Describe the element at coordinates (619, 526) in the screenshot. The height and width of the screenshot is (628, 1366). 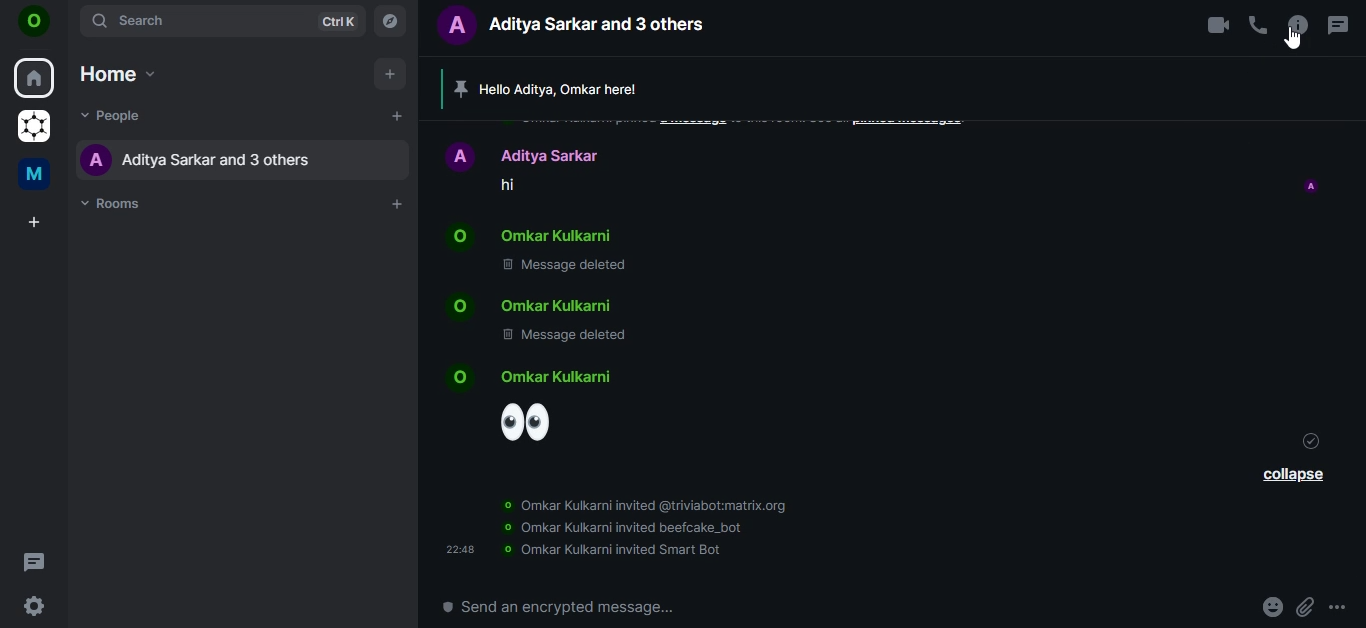
I see `information about invited bots` at that location.